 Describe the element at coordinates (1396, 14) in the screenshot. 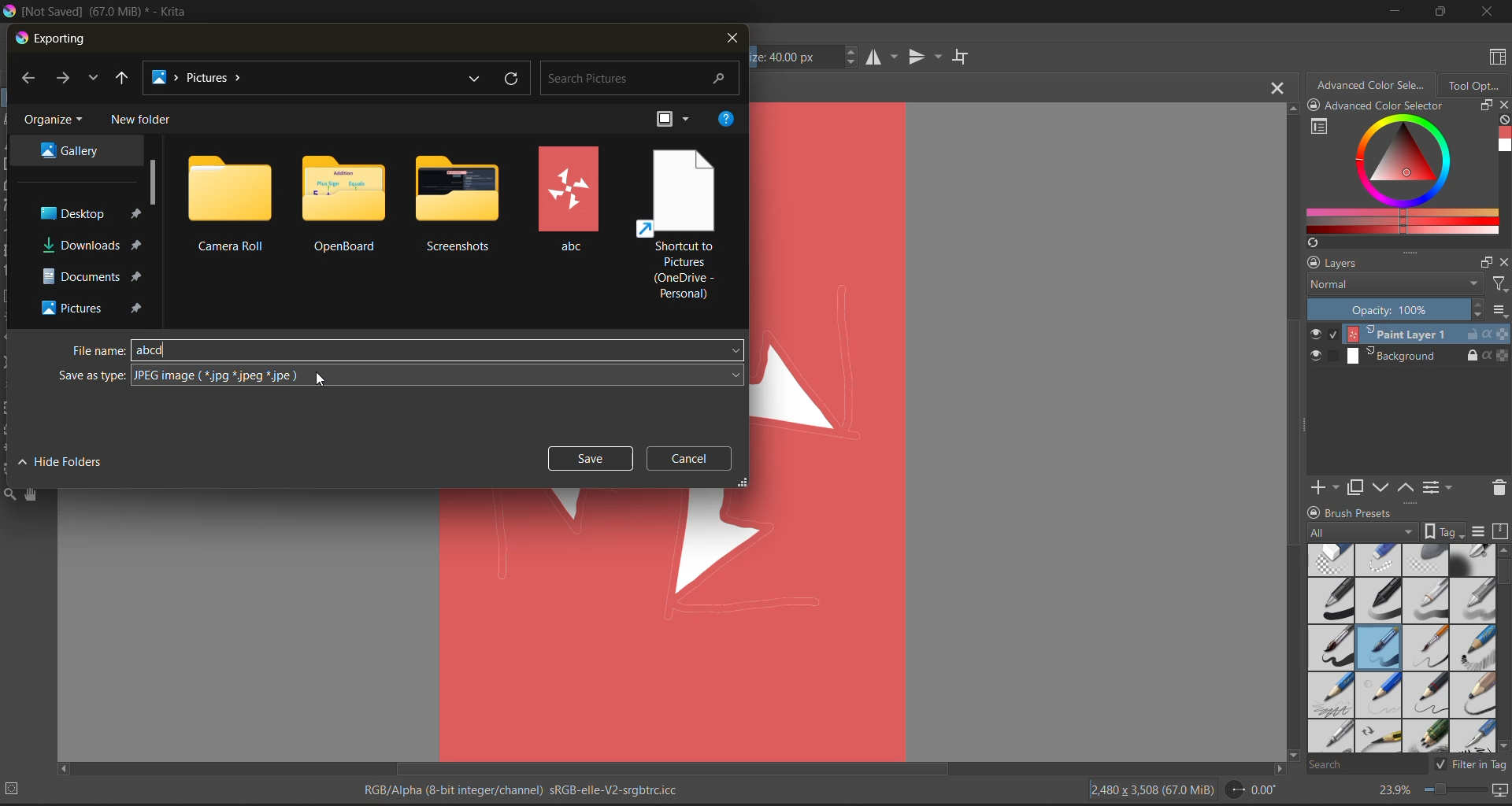

I see `minimize` at that location.